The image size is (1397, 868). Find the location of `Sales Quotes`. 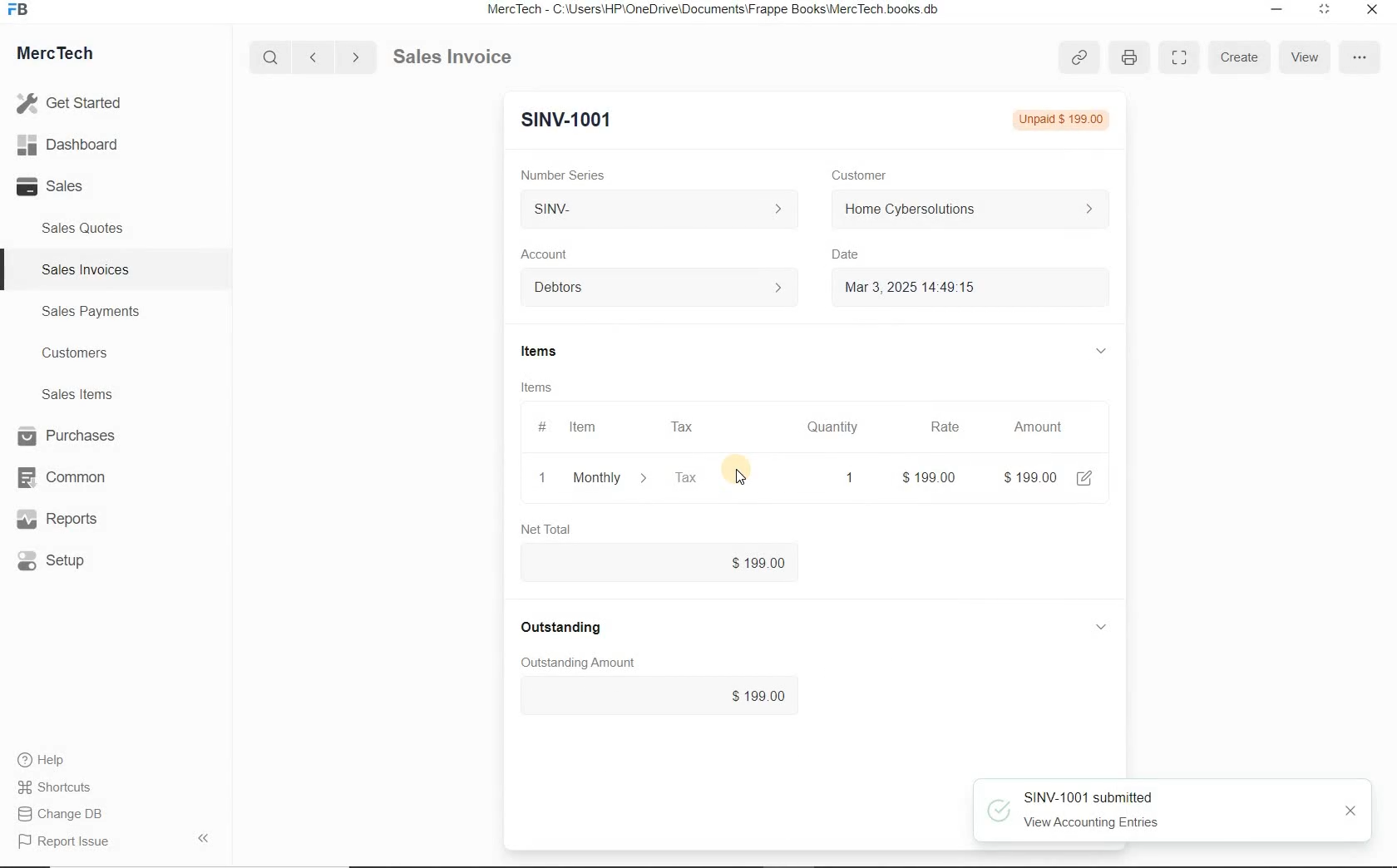

Sales Quotes is located at coordinates (86, 228).